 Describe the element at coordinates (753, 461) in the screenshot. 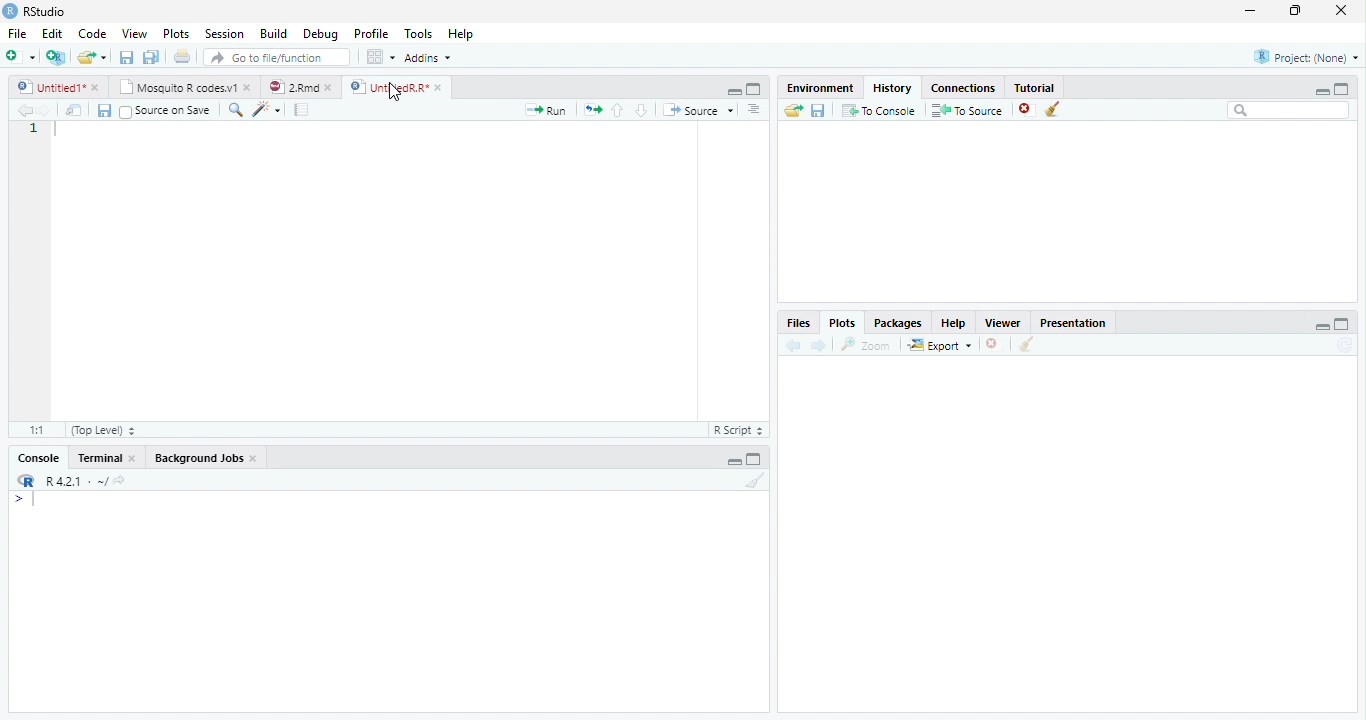

I see `Maximize` at that location.